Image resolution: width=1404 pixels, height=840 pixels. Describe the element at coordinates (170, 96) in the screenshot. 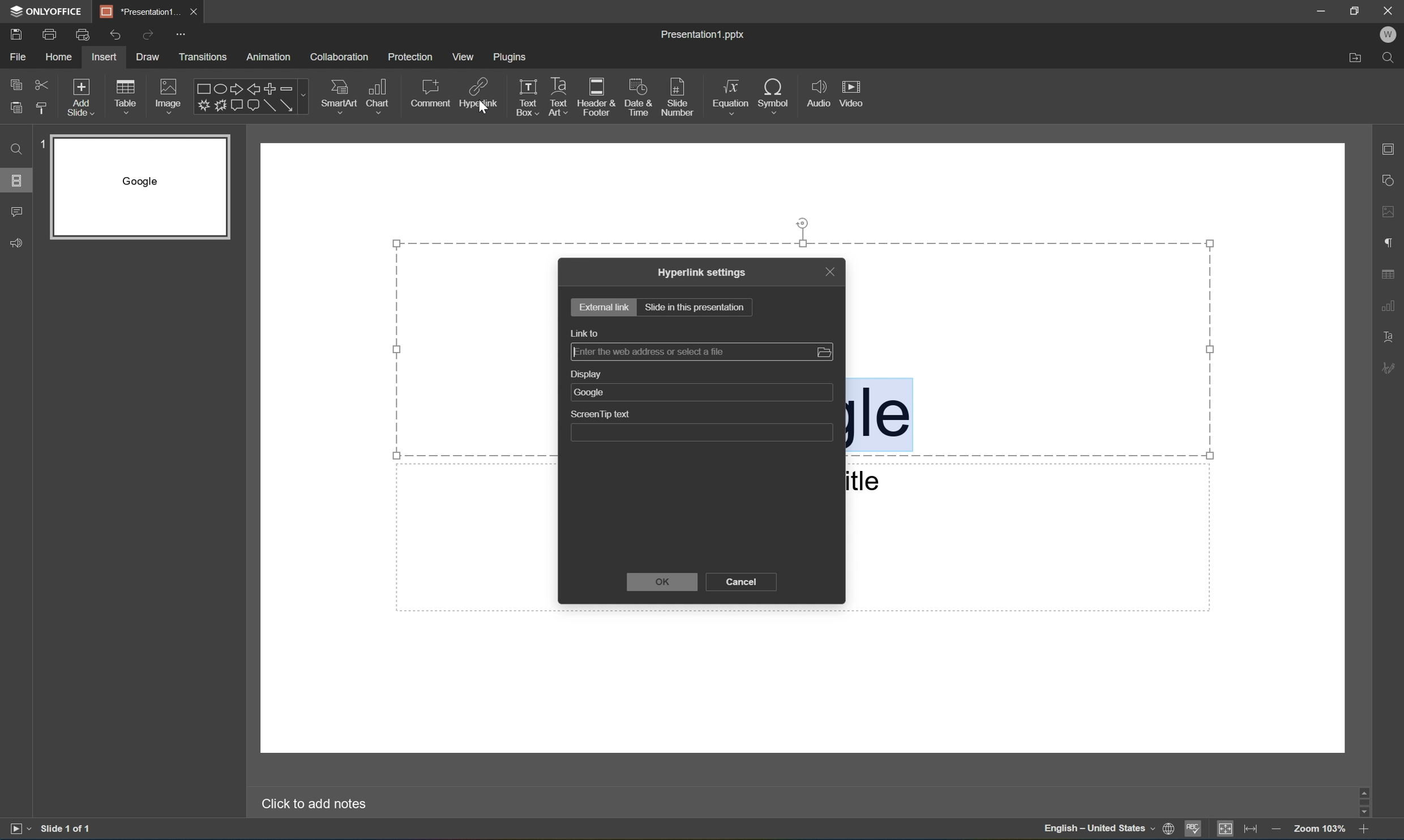

I see `Image` at that location.